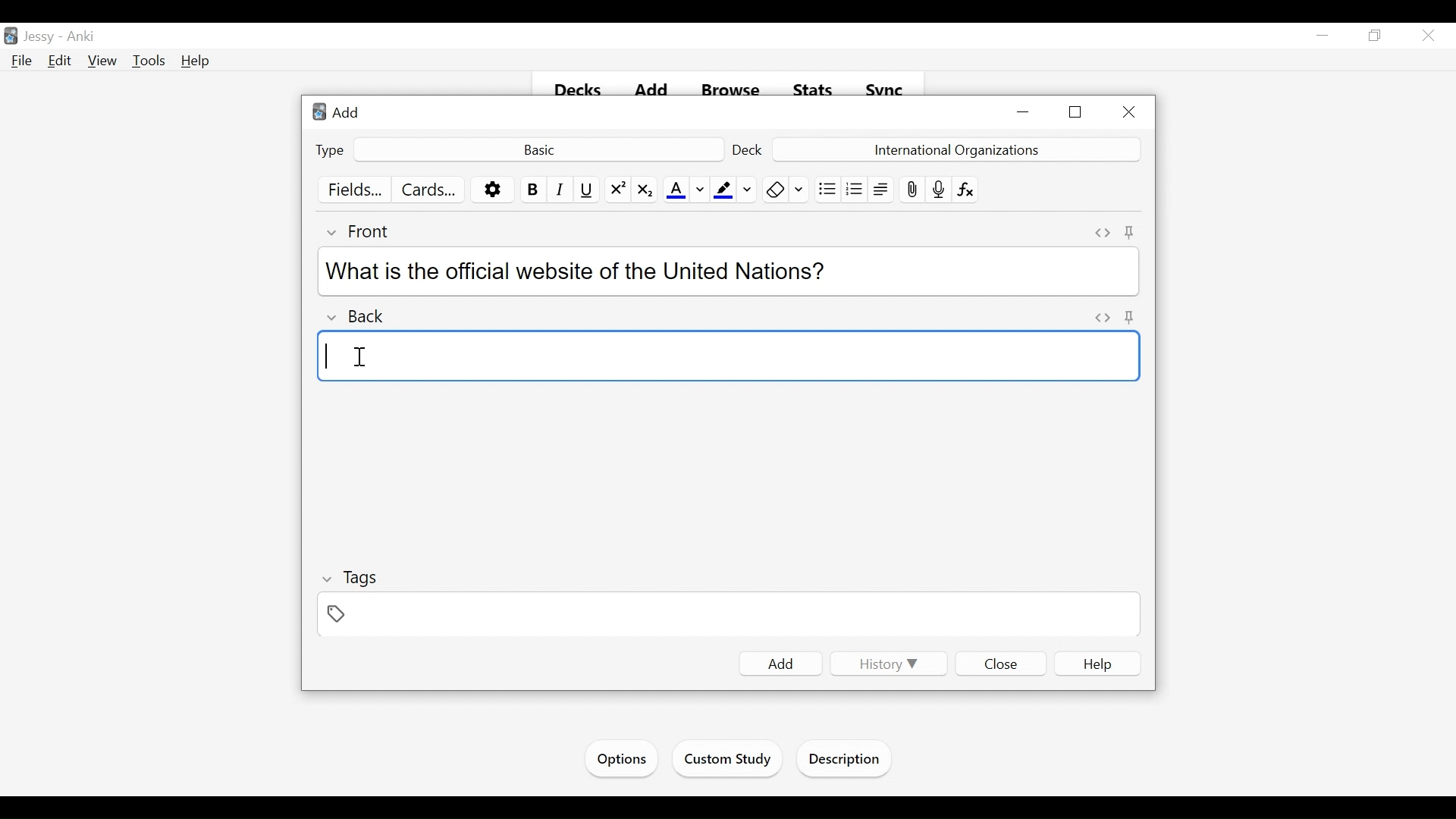 This screenshot has width=1456, height=819. What do you see at coordinates (1102, 316) in the screenshot?
I see `Toggle HTML Editor` at bounding box center [1102, 316].